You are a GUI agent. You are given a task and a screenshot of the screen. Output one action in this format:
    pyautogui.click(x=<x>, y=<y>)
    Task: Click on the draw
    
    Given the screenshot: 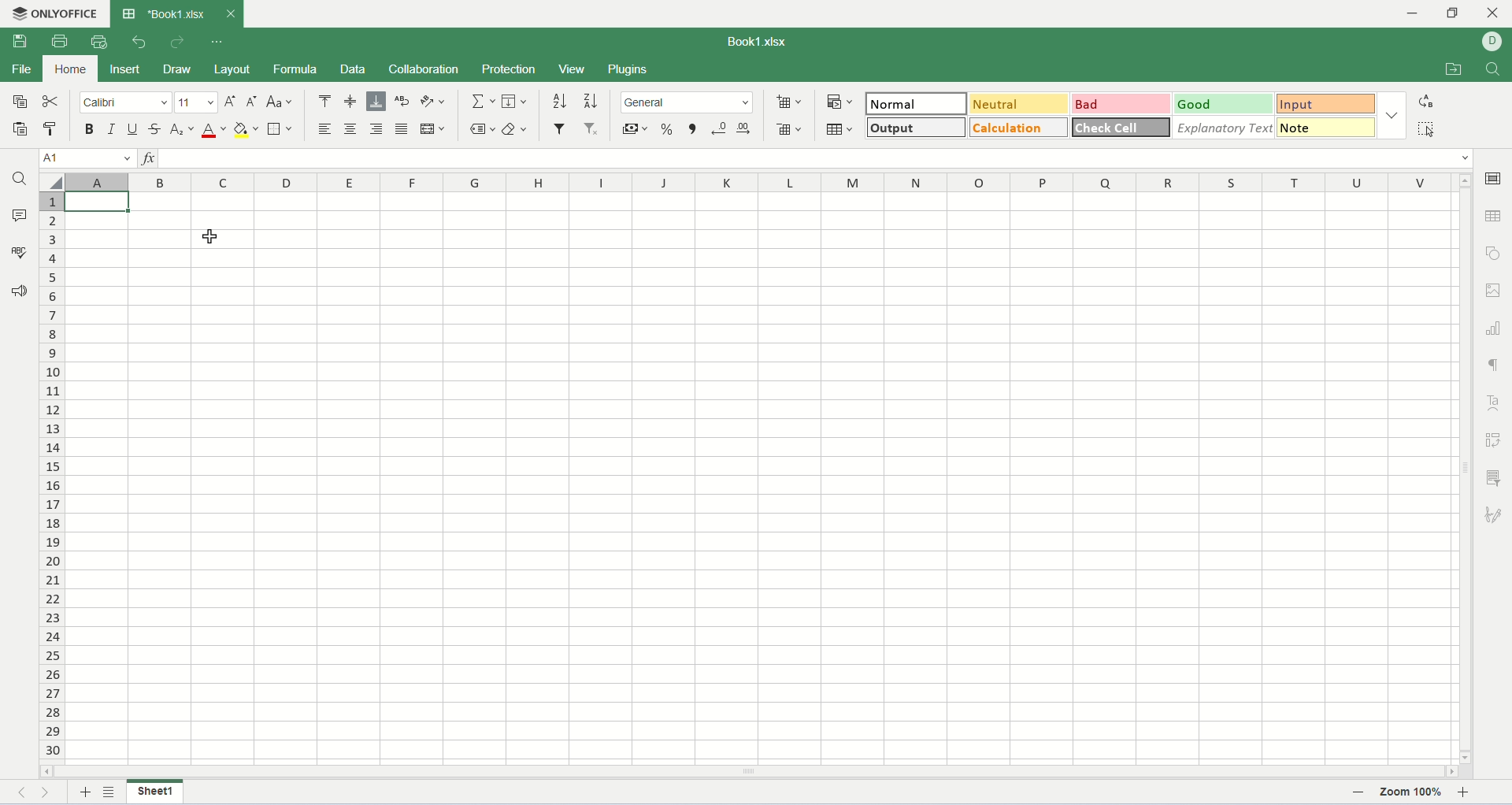 What is the action you would take?
    pyautogui.click(x=180, y=69)
    